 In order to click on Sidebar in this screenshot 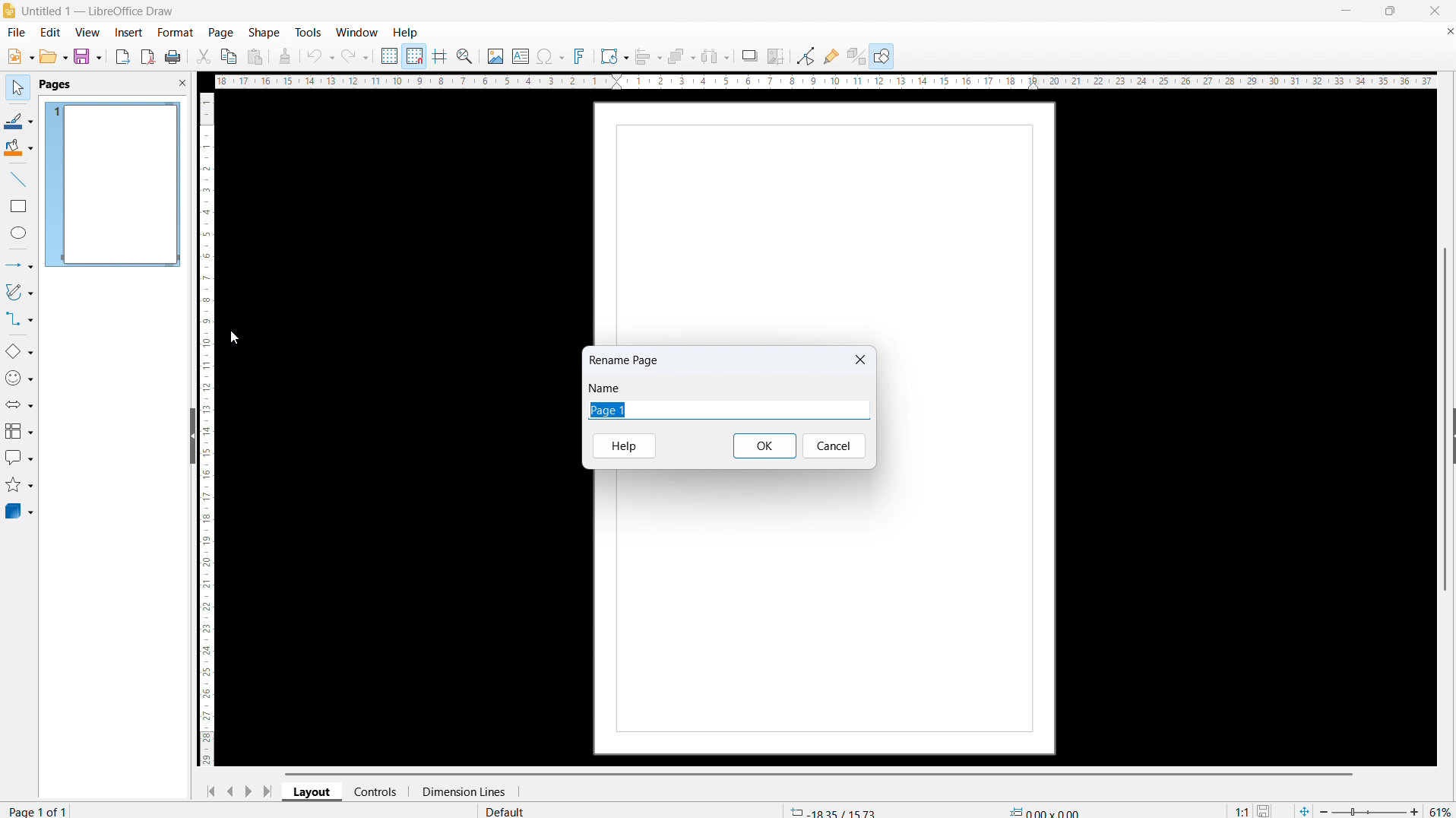, I will do `click(1447, 436)`.